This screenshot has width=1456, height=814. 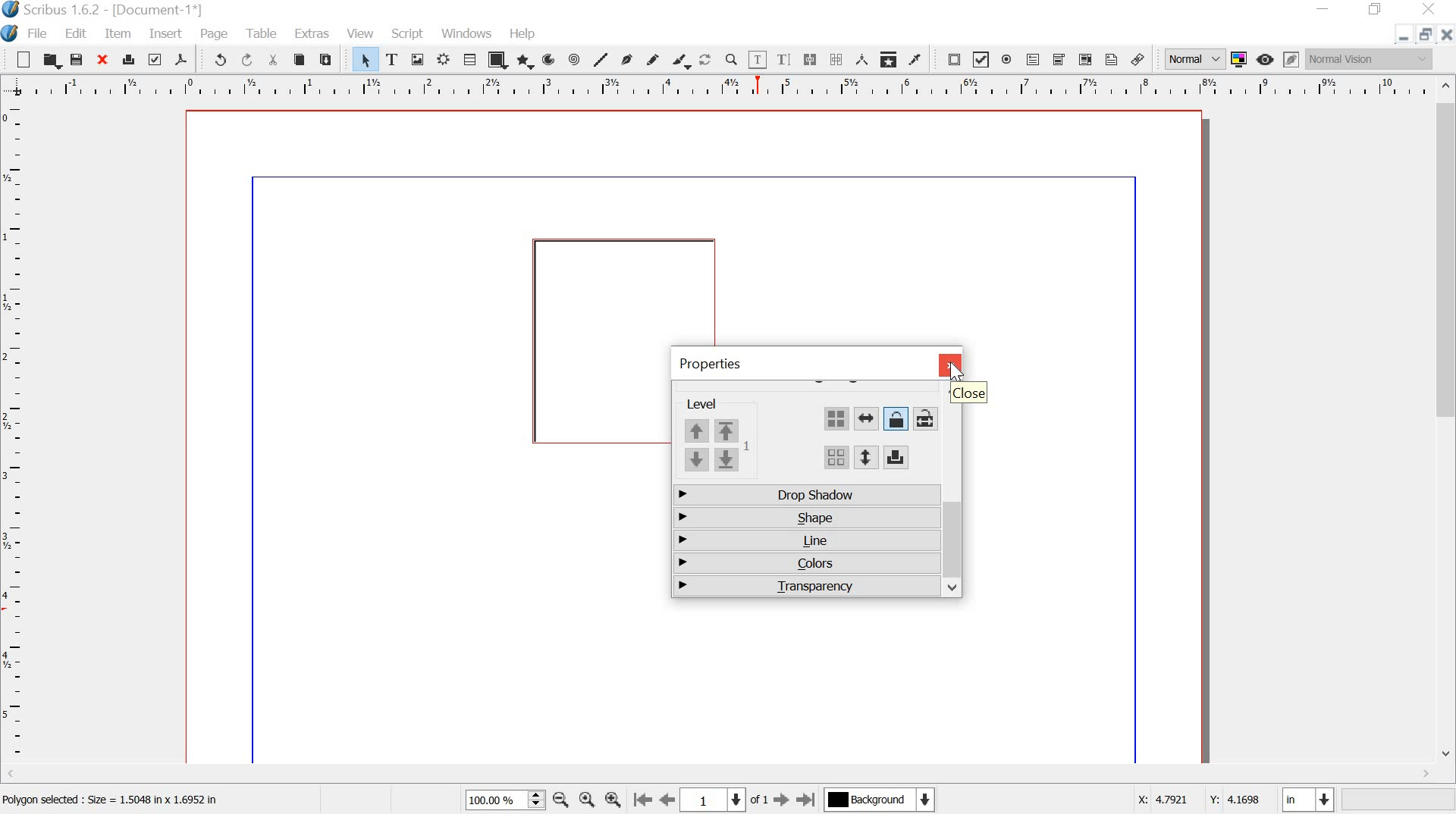 What do you see at coordinates (836, 418) in the screenshot?
I see `group selected objects` at bounding box center [836, 418].